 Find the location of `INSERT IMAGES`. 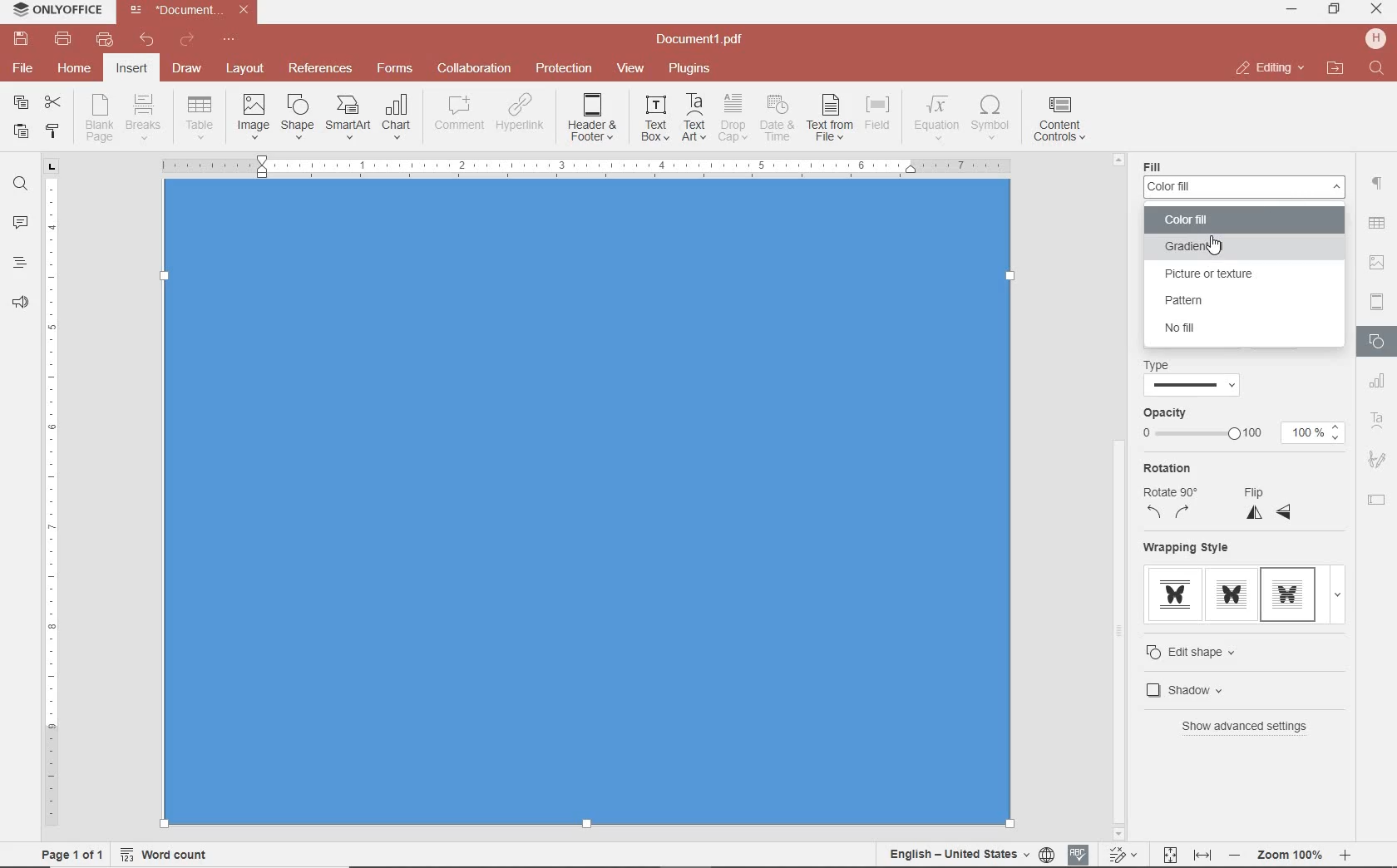

INSERT IMAGES is located at coordinates (254, 116).